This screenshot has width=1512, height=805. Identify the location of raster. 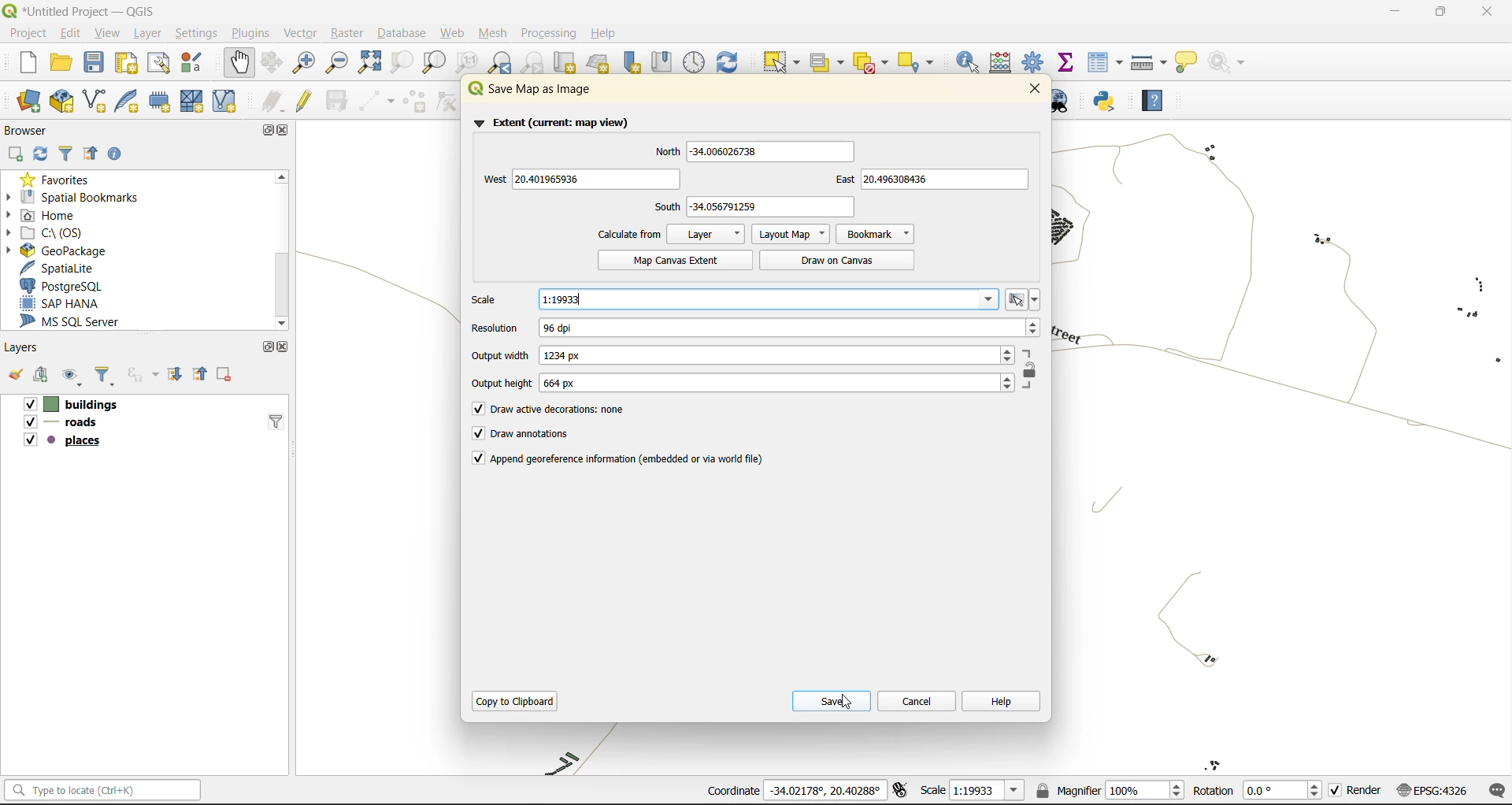
(346, 32).